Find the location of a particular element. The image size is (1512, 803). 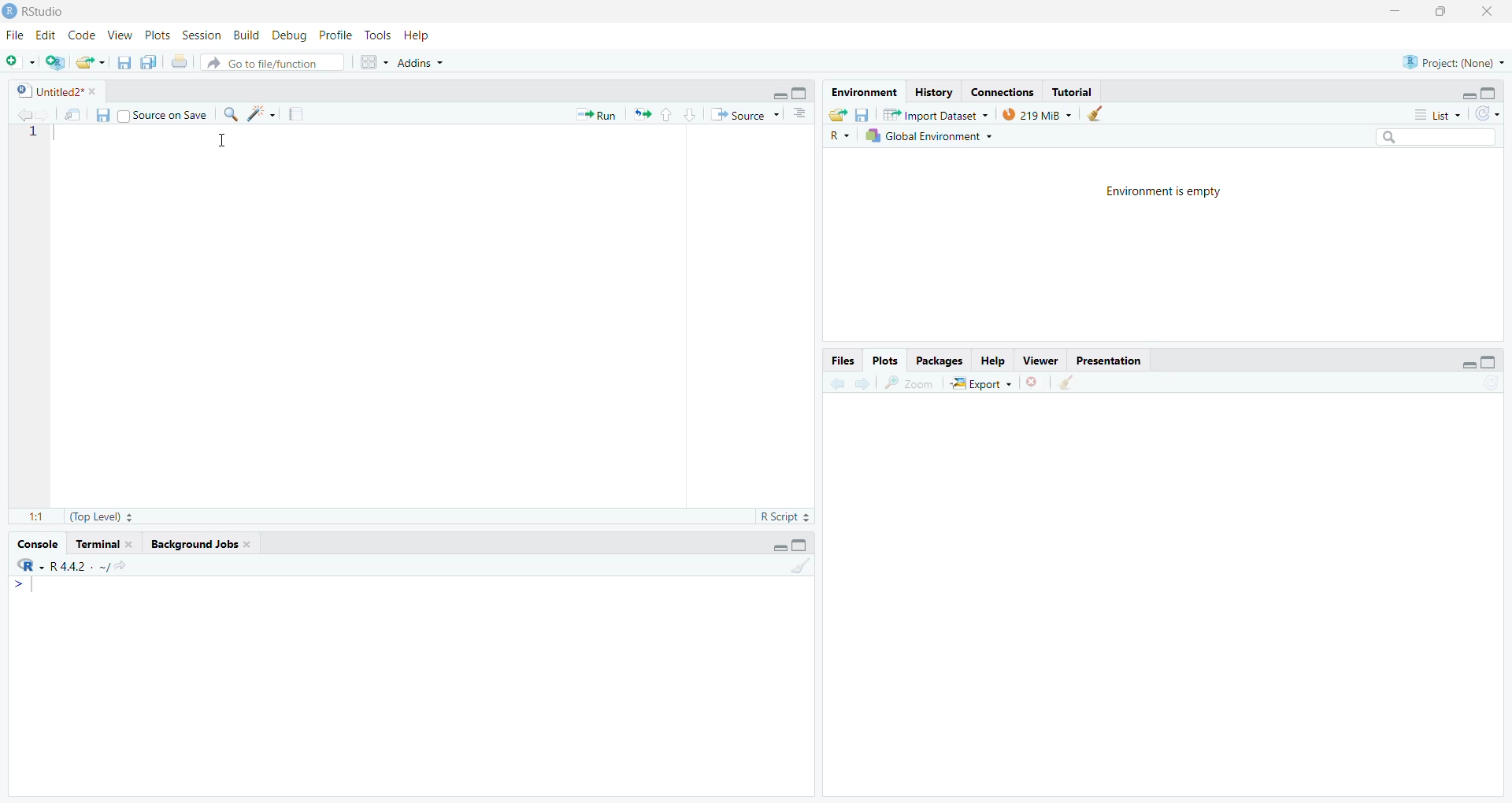

Debug is located at coordinates (291, 35).